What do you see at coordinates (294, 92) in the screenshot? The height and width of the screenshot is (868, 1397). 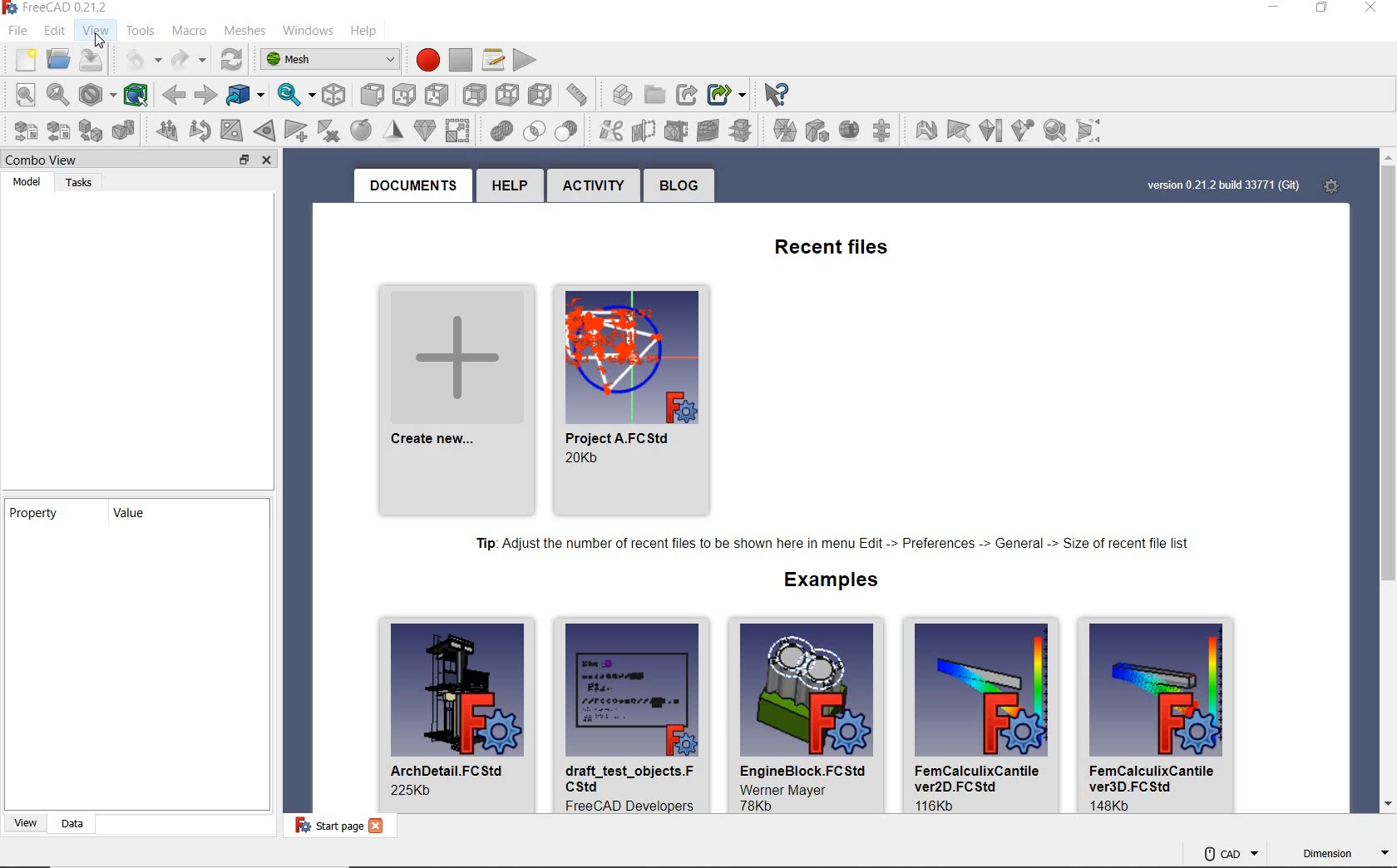 I see `sync view` at bounding box center [294, 92].